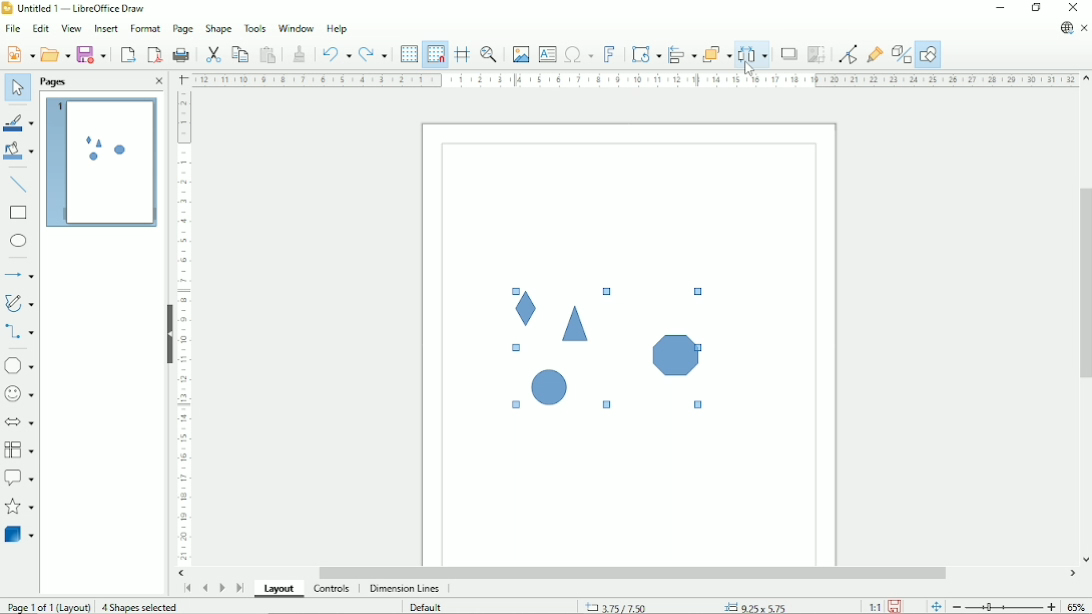 The image size is (1092, 614). I want to click on Title, so click(78, 9).